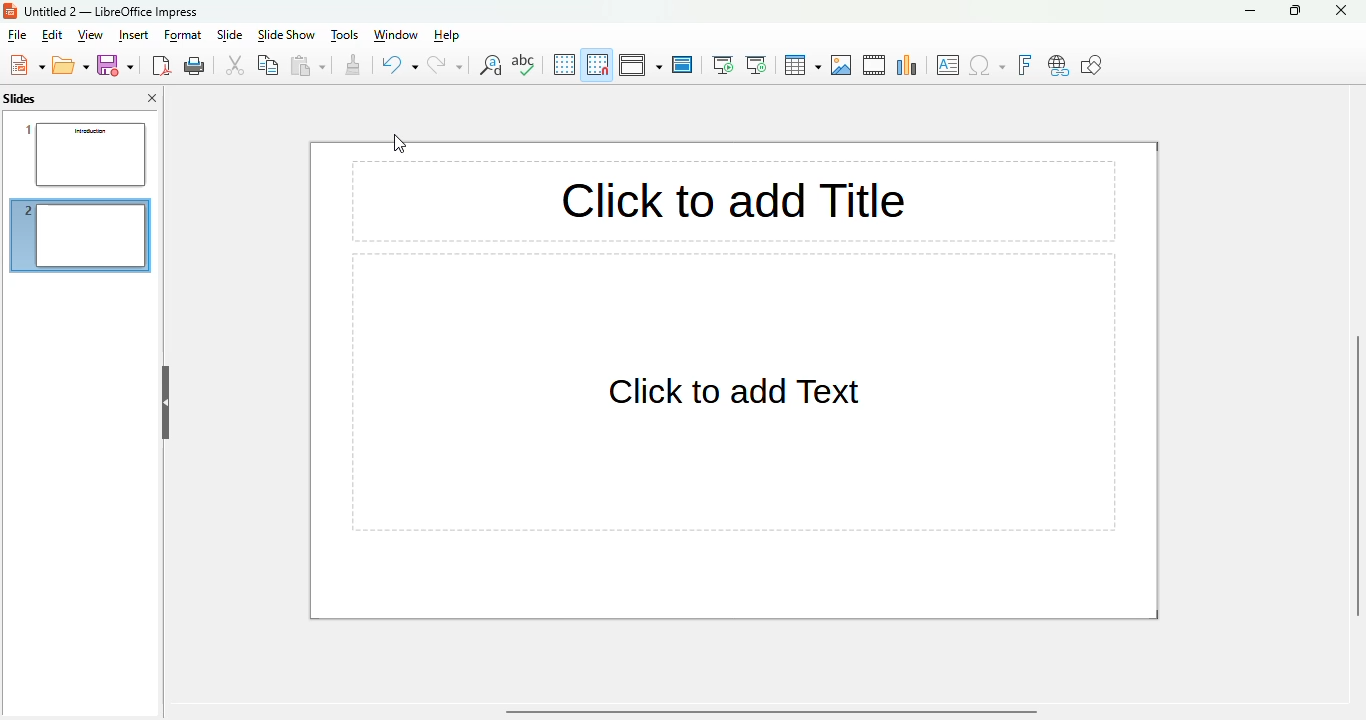 This screenshot has height=720, width=1366. I want to click on cut, so click(235, 65).